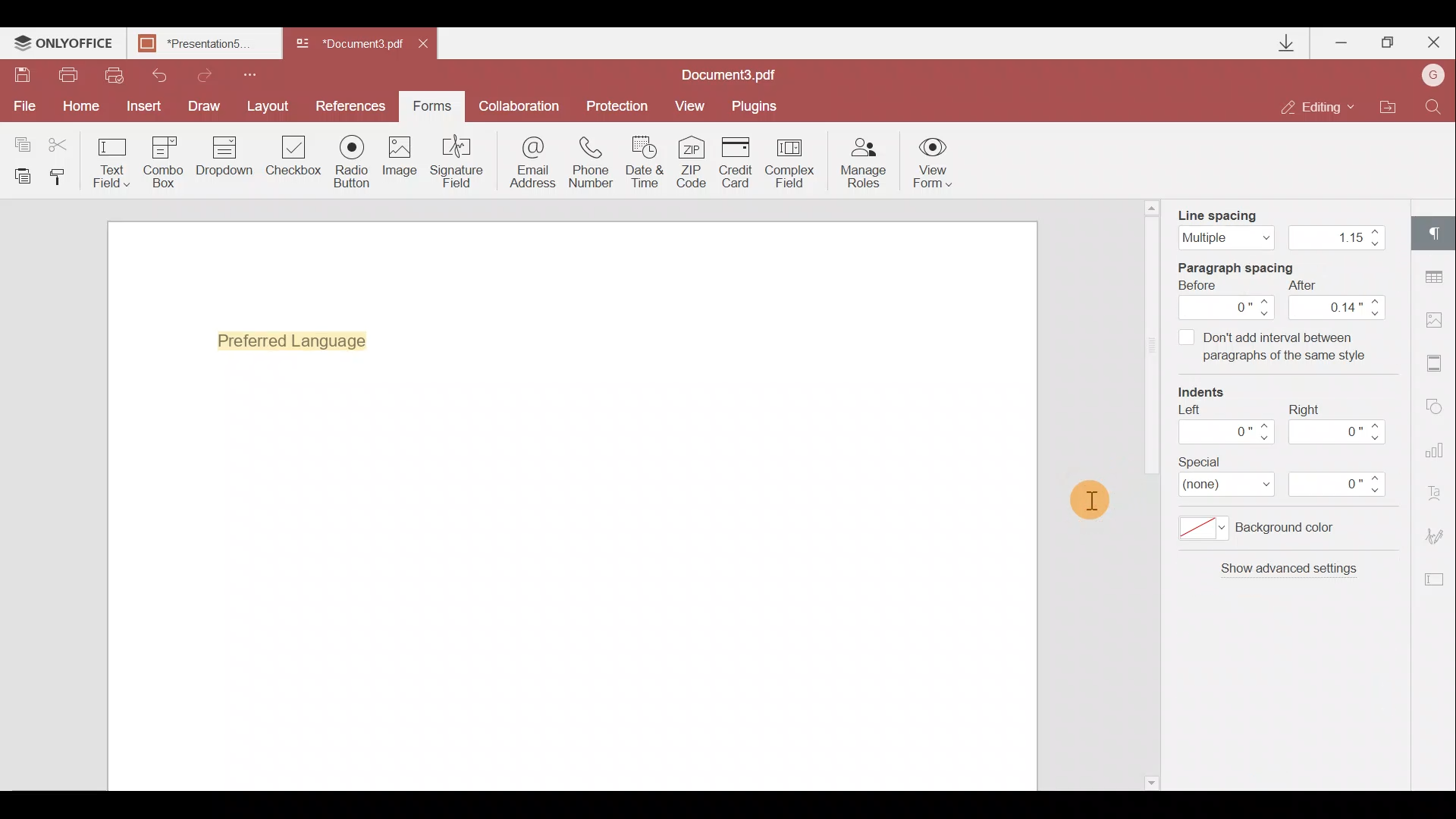  What do you see at coordinates (23, 175) in the screenshot?
I see `Paste` at bounding box center [23, 175].